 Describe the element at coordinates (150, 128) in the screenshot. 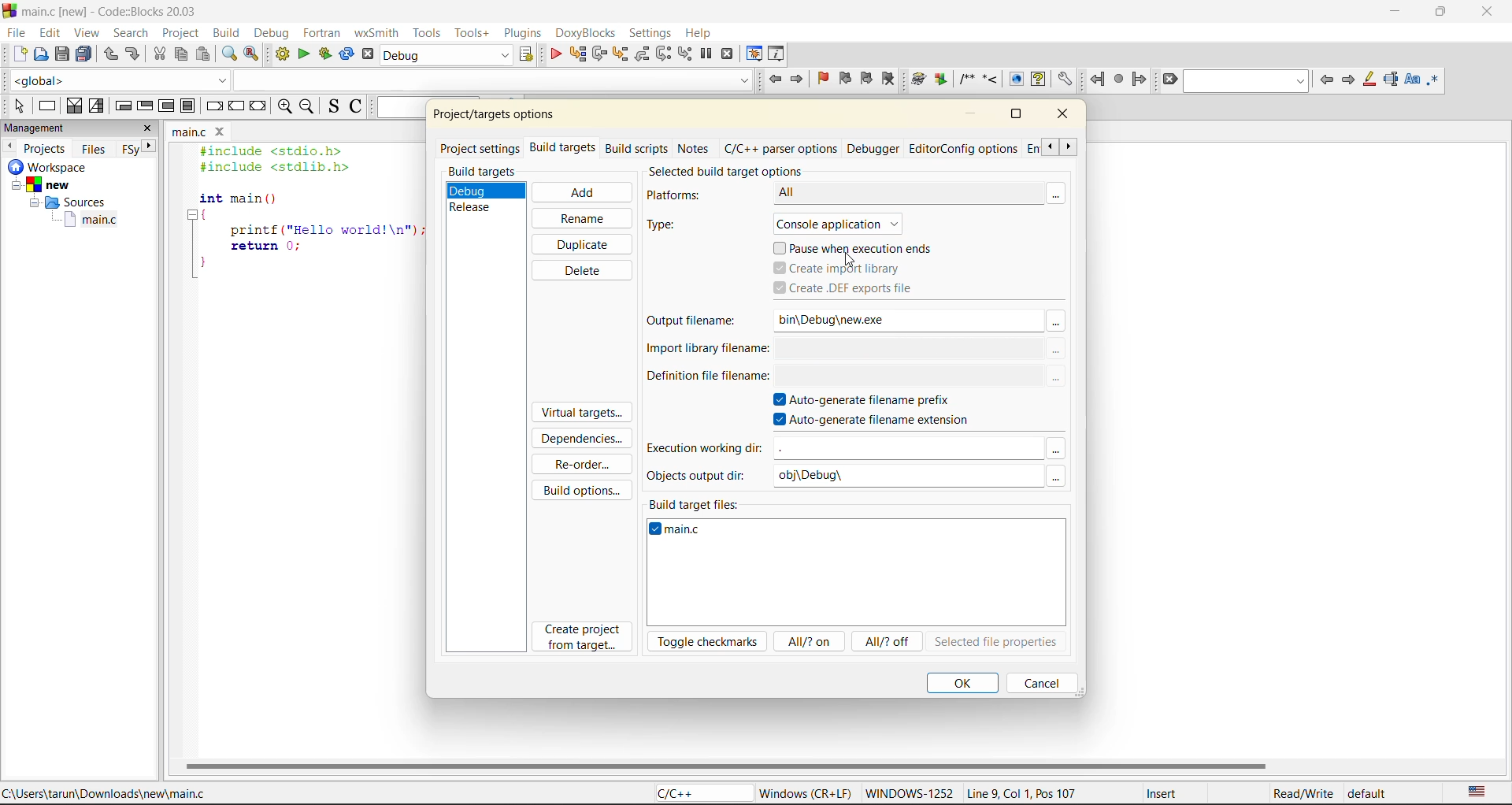

I see `close` at that location.